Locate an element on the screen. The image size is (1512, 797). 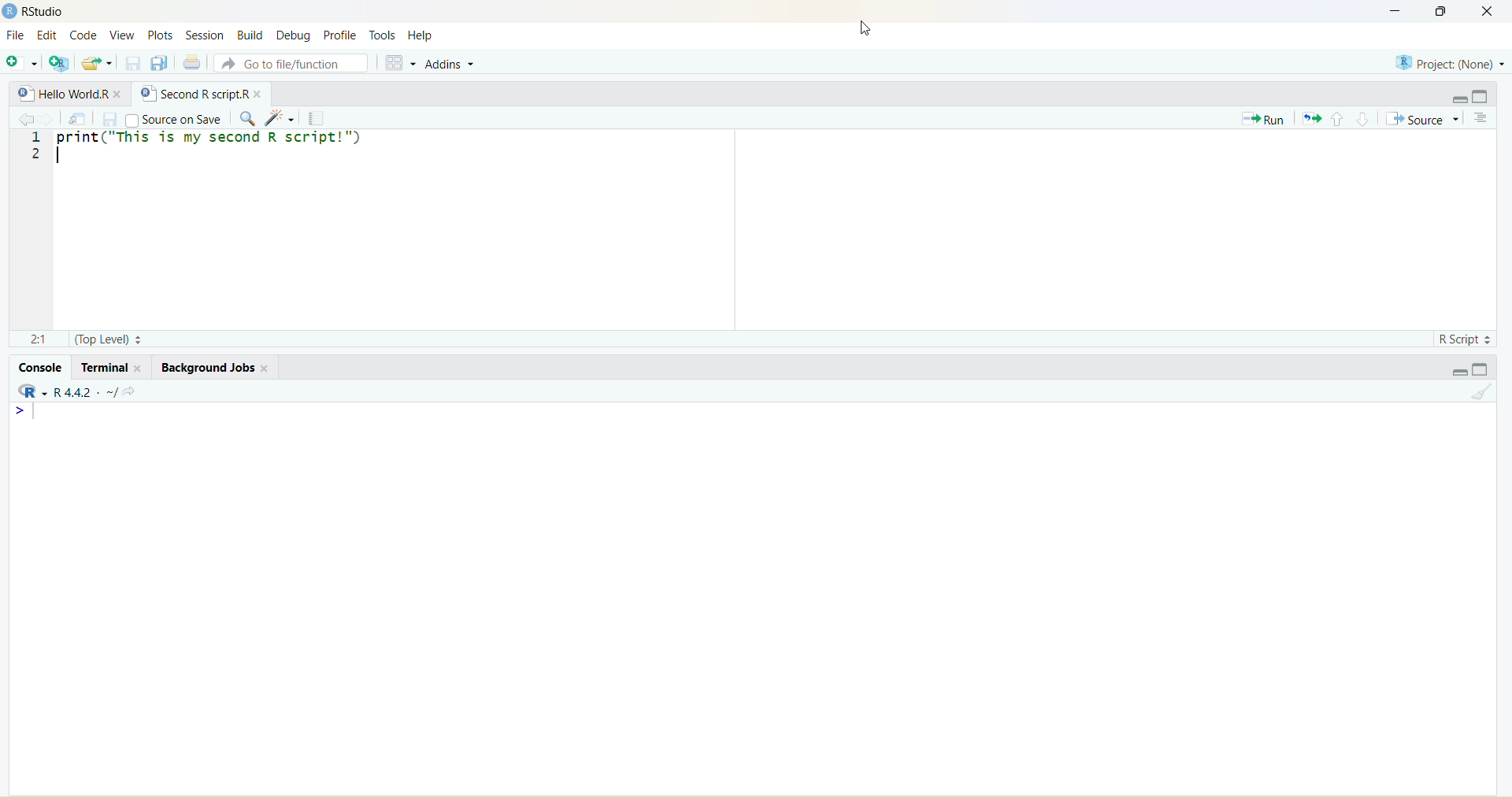
Code is located at coordinates (84, 36).